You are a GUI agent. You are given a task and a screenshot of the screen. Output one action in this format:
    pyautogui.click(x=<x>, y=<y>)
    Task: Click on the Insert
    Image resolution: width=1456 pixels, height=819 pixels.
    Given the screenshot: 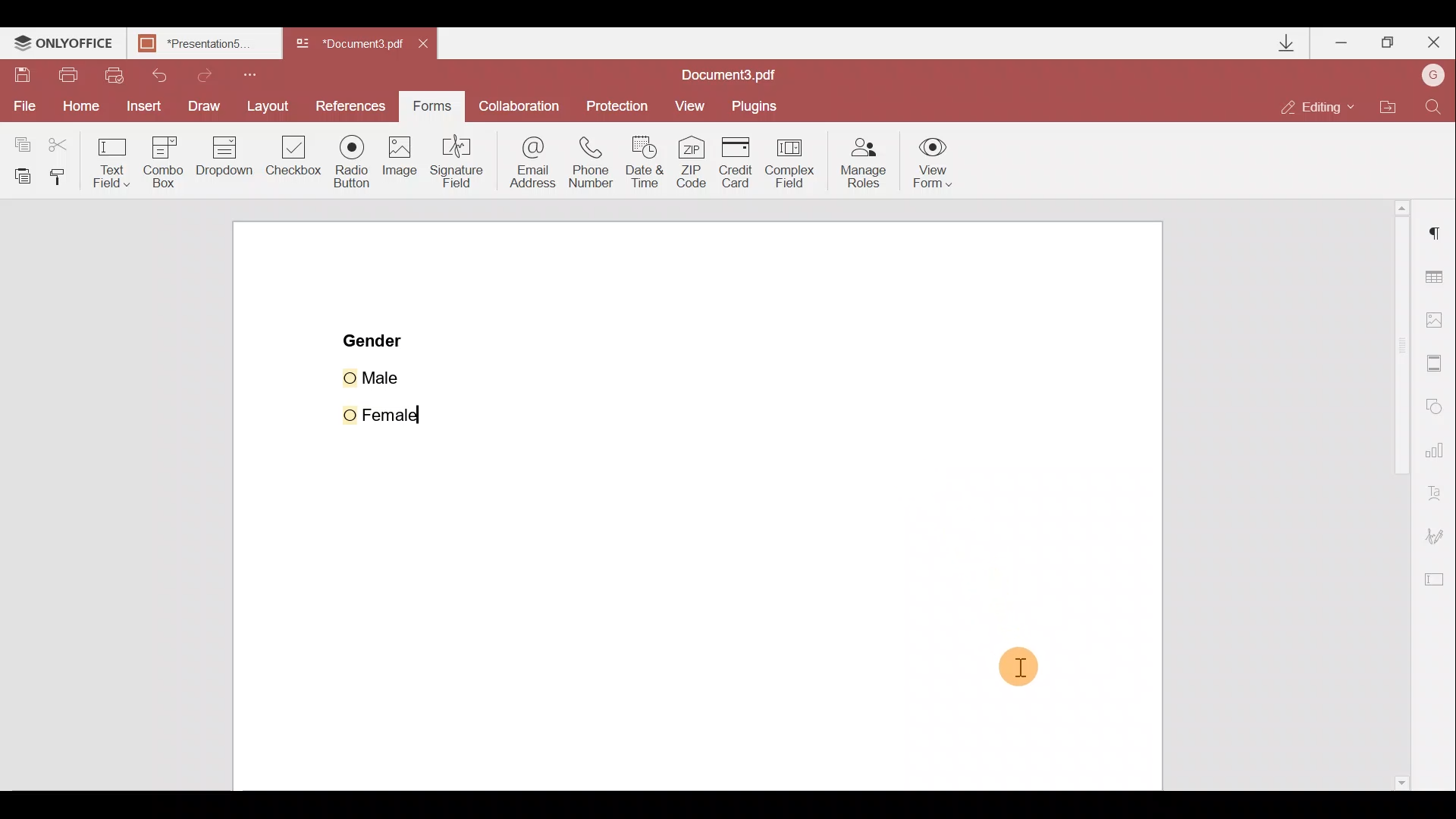 What is the action you would take?
    pyautogui.click(x=142, y=108)
    